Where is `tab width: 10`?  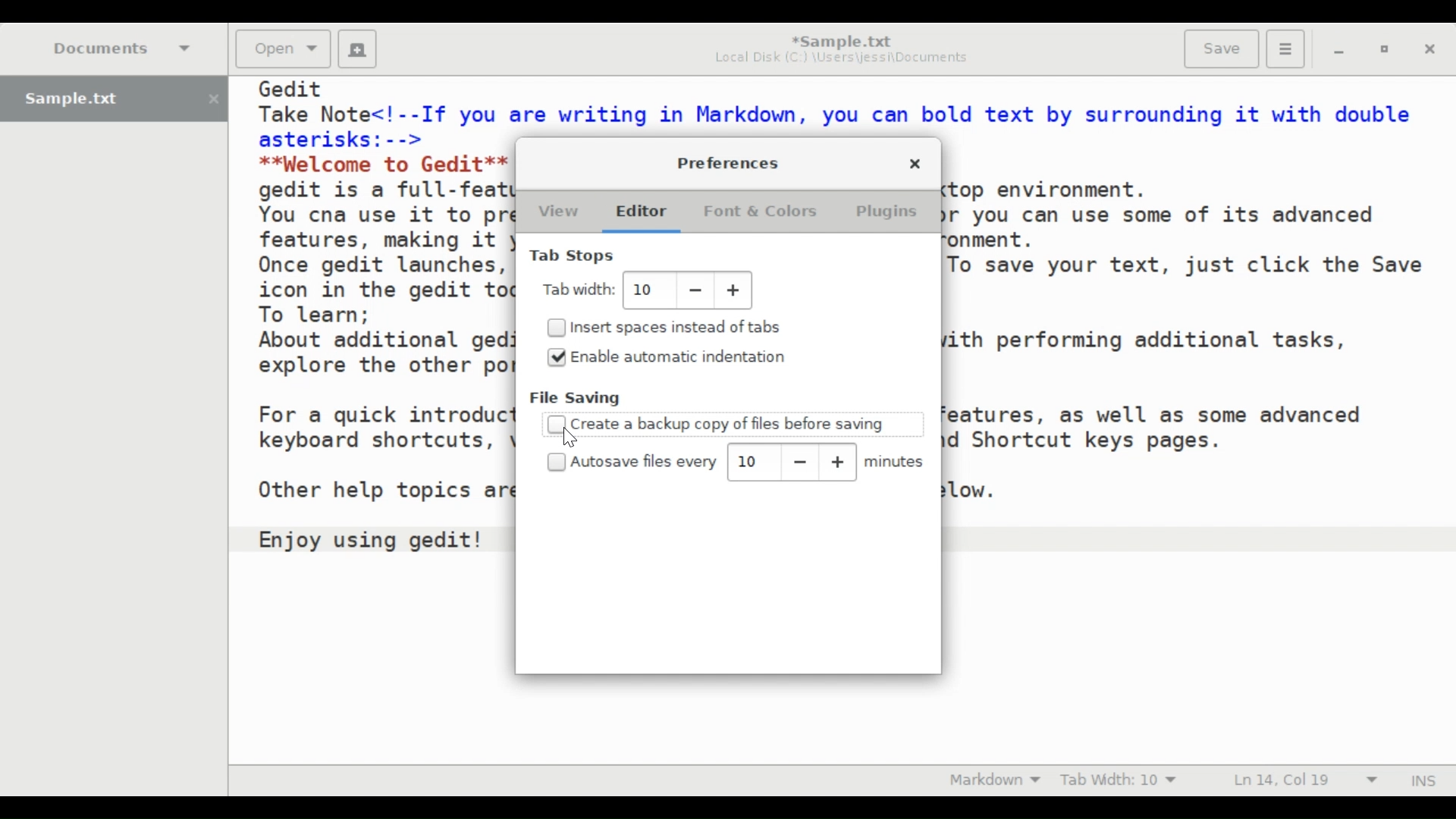
tab width: 10 is located at coordinates (647, 290).